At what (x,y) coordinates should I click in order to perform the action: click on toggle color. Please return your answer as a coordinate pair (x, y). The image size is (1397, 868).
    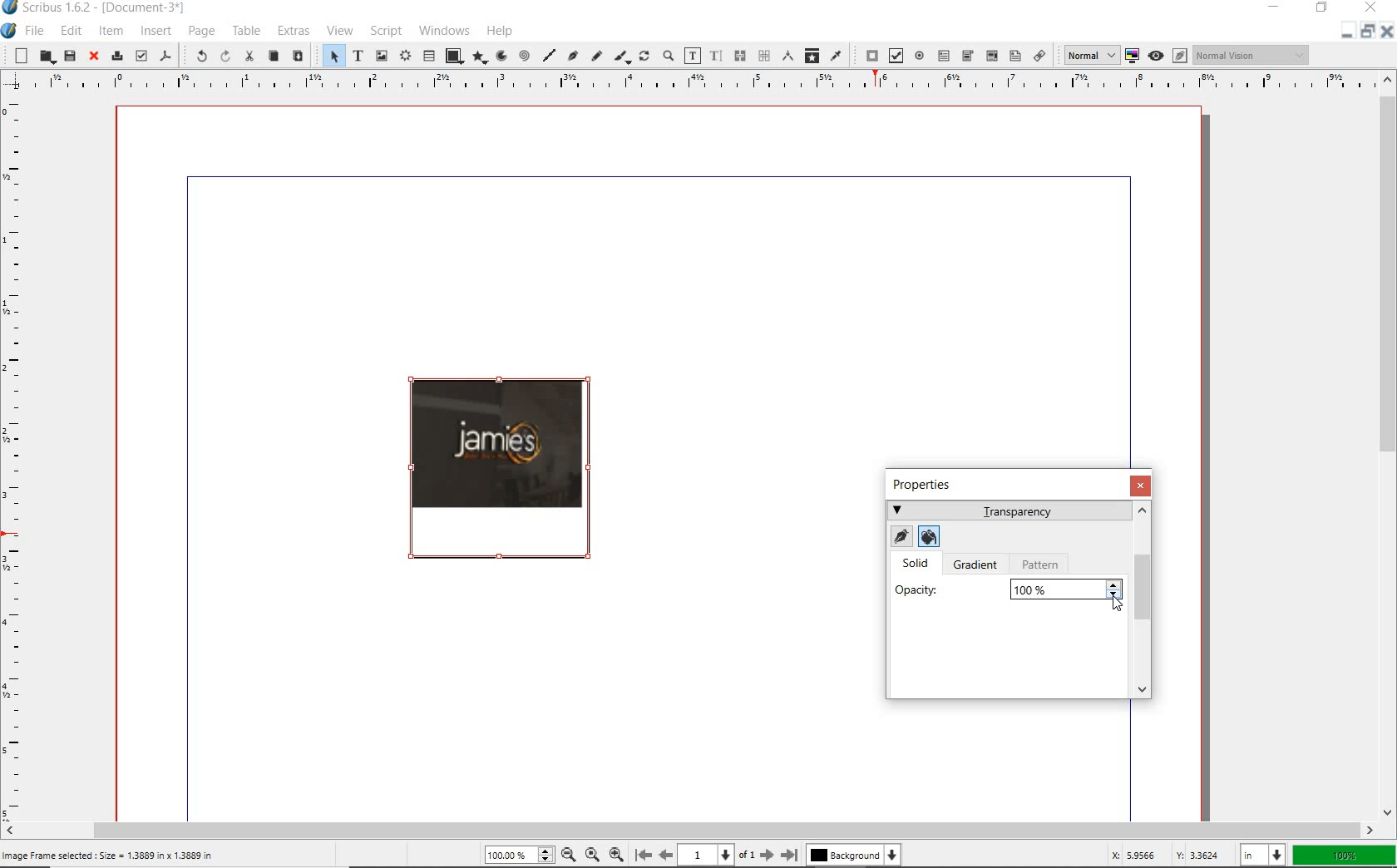
    Looking at the image, I should click on (1132, 54).